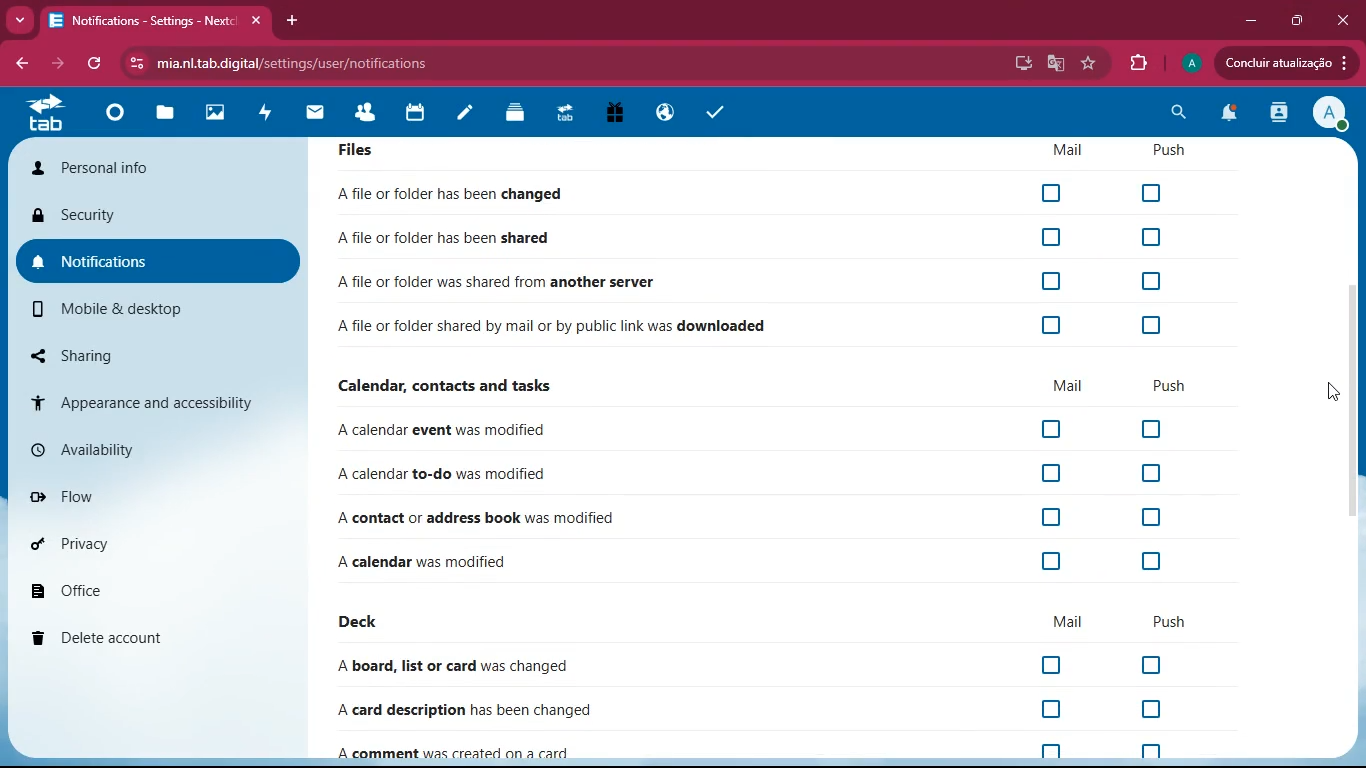  Describe the element at coordinates (141, 449) in the screenshot. I see `availability` at that location.